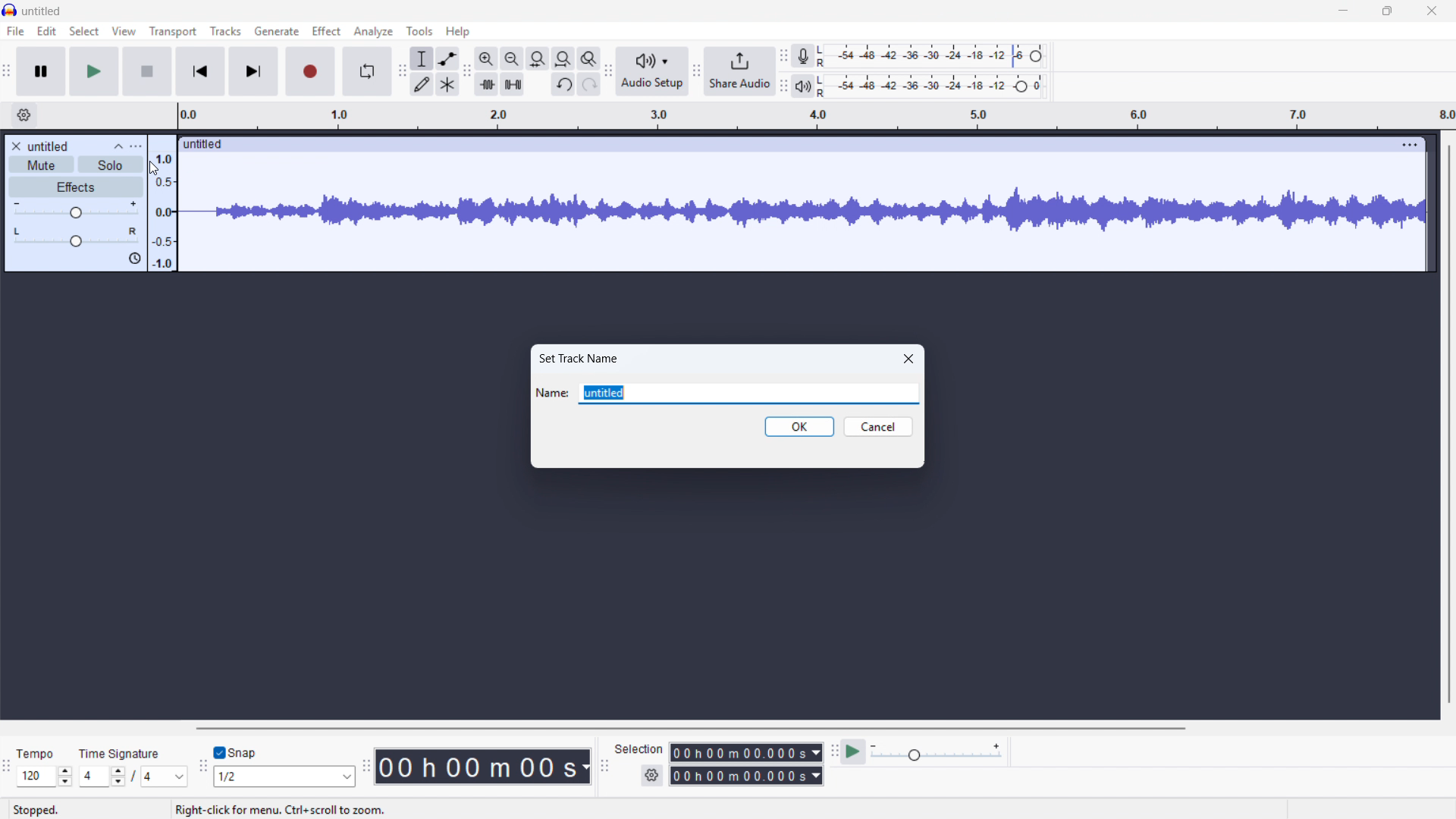  What do you see at coordinates (589, 85) in the screenshot?
I see `Redo` at bounding box center [589, 85].